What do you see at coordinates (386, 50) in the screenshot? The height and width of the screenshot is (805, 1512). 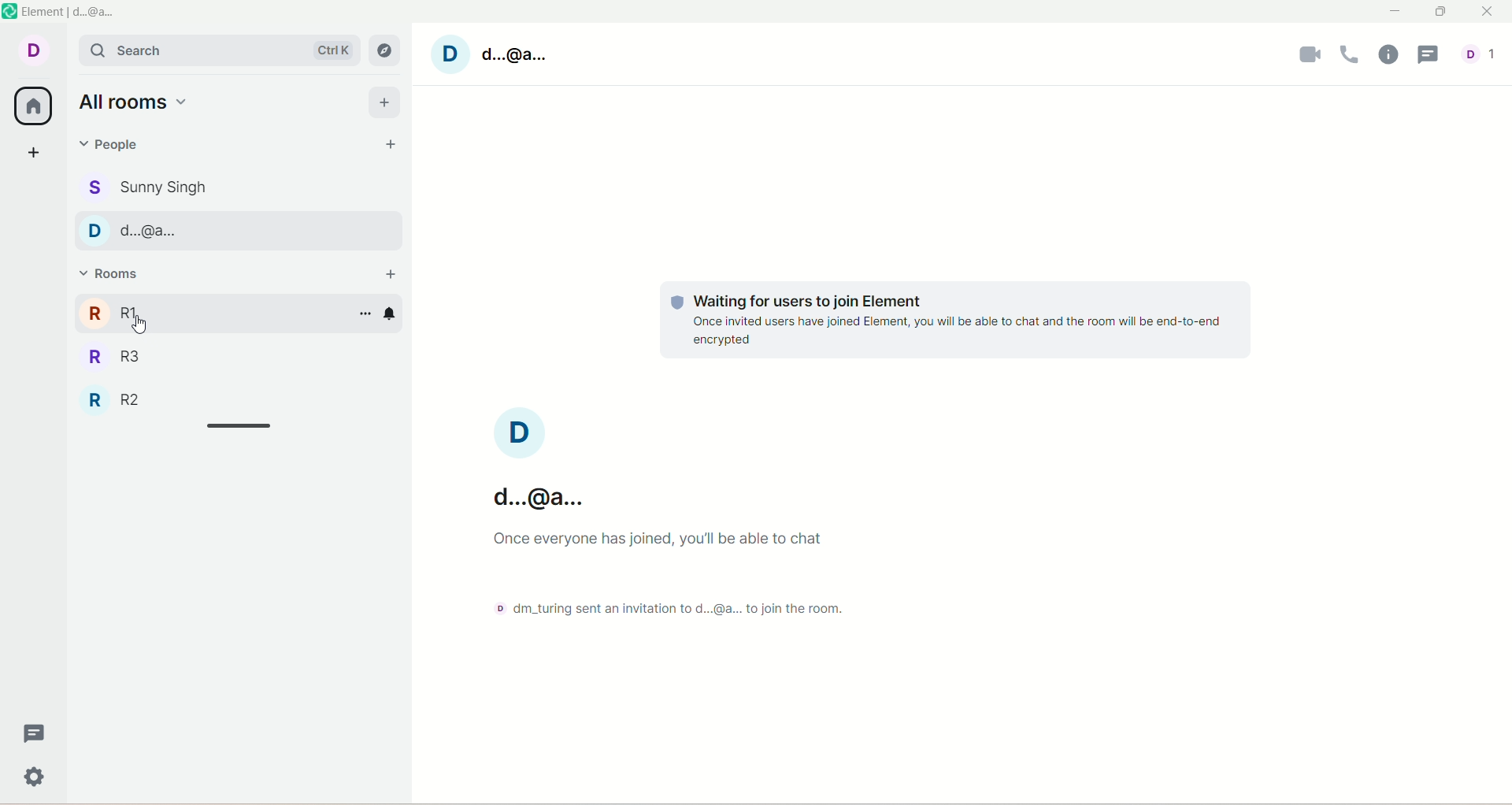 I see `explore room` at bounding box center [386, 50].